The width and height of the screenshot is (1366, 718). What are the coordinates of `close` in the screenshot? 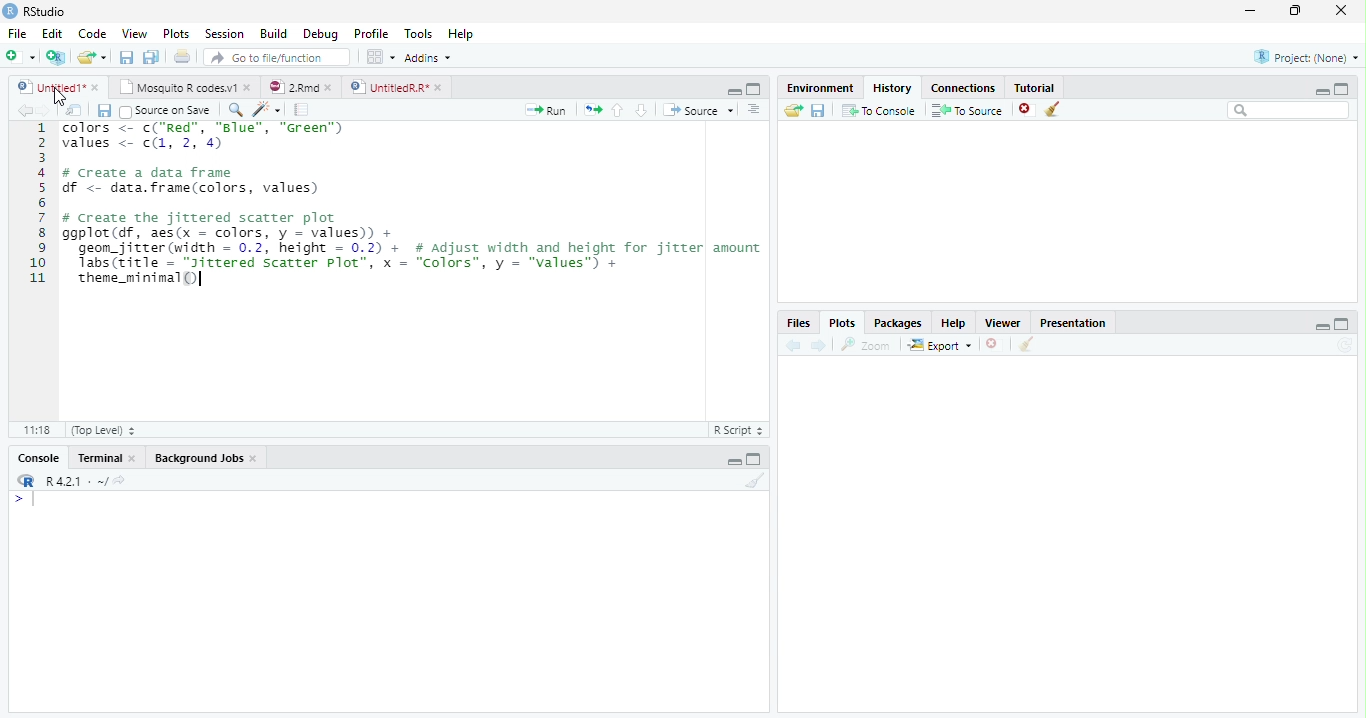 It's located at (95, 88).